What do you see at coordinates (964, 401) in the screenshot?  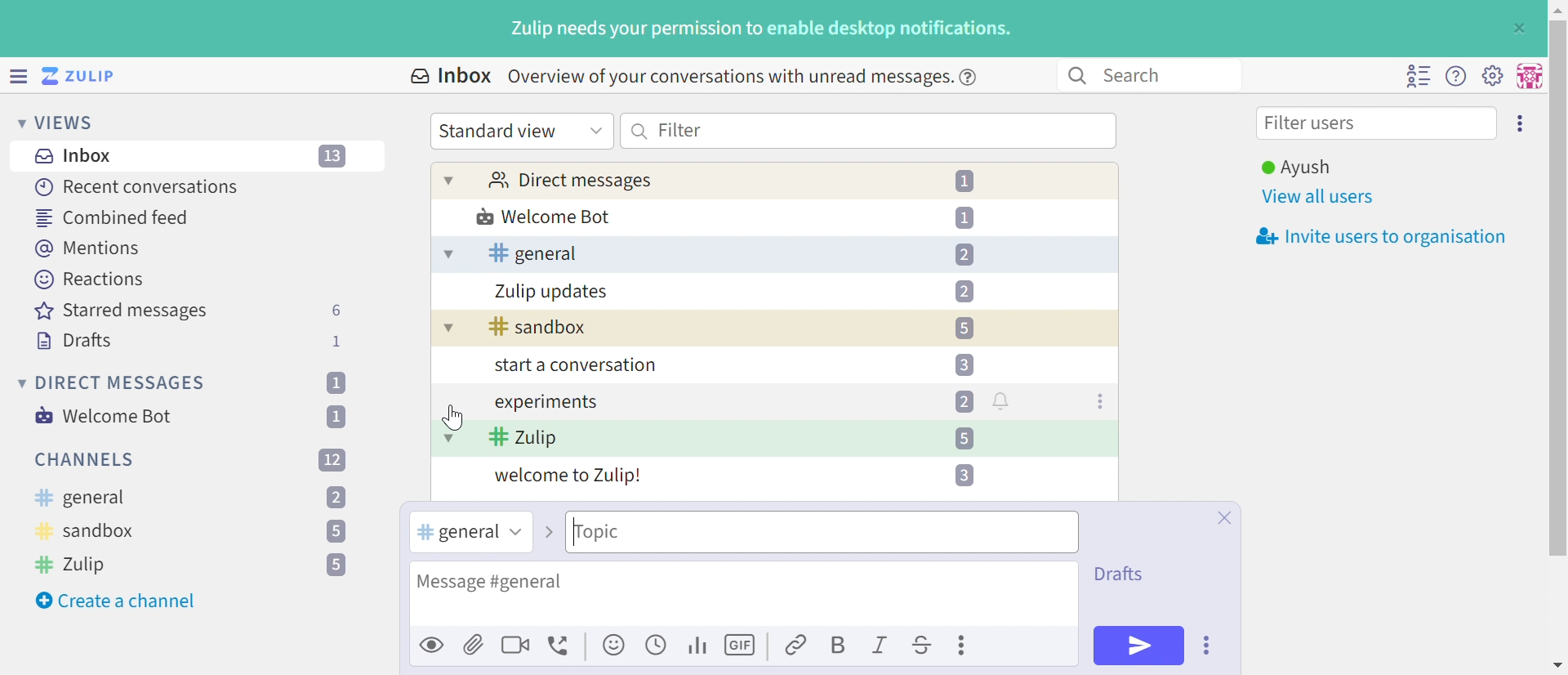 I see `2` at bounding box center [964, 401].